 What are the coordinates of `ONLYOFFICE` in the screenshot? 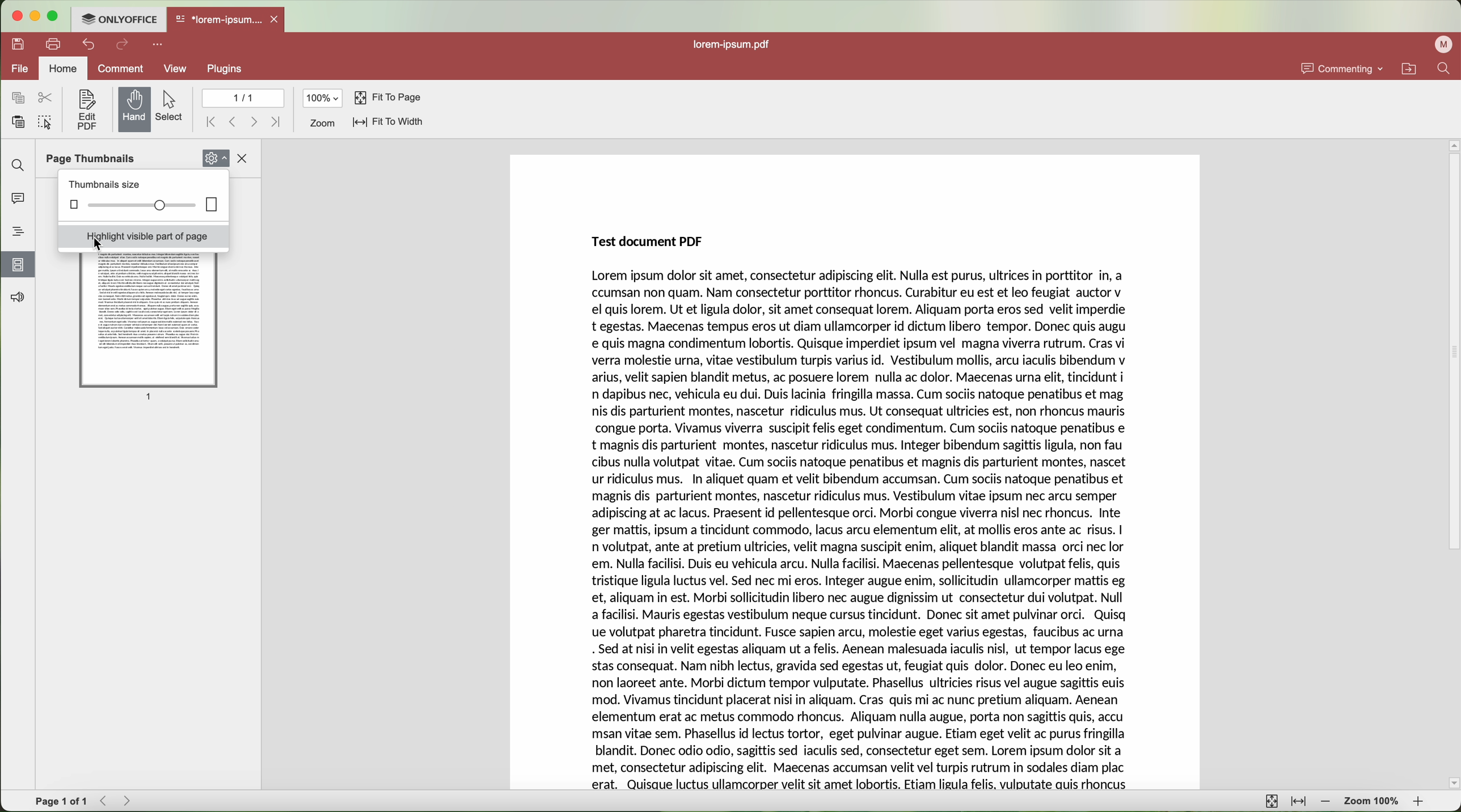 It's located at (119, 19).